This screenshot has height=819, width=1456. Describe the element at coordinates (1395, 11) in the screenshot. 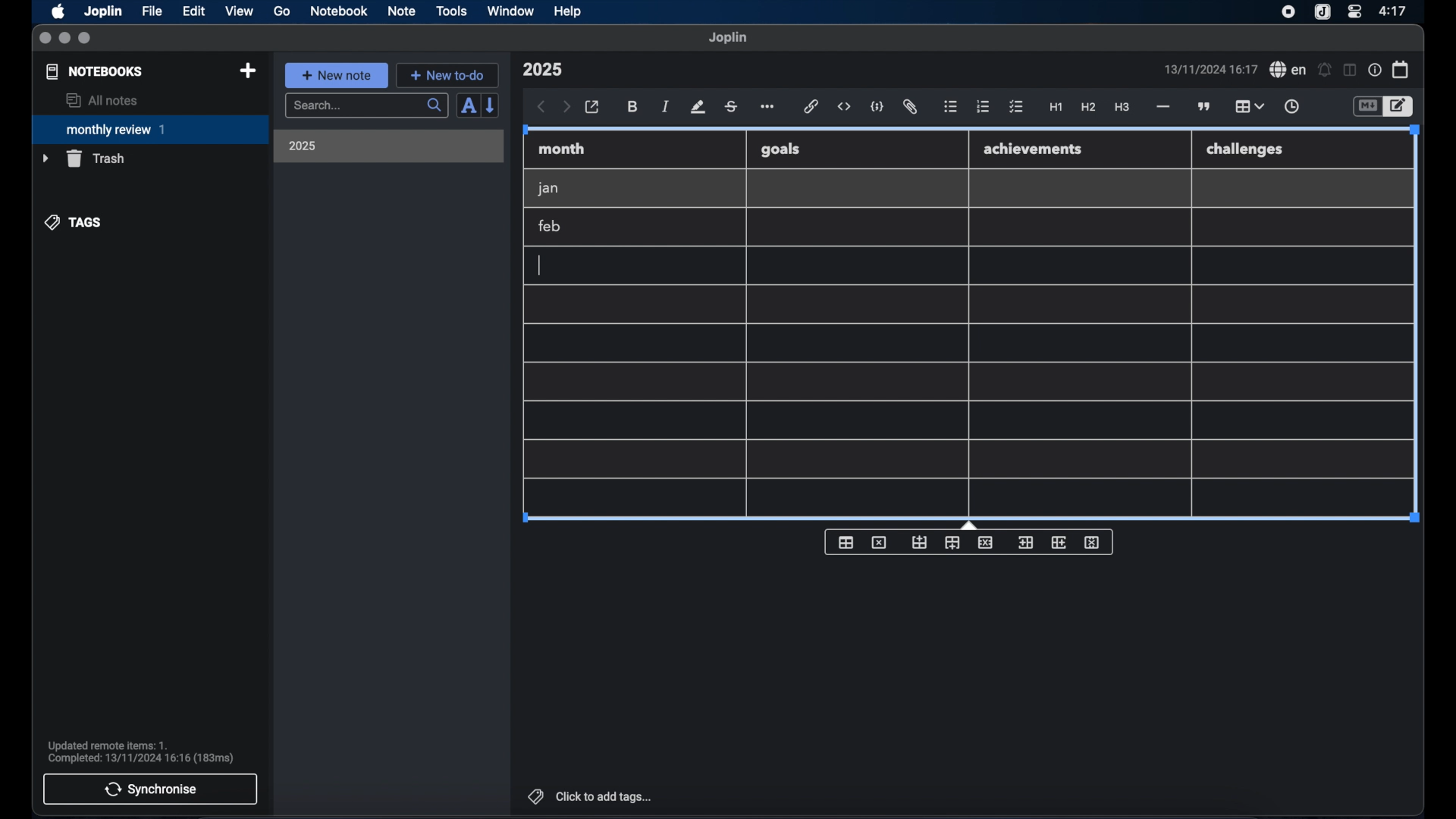

I see `time` at that location.